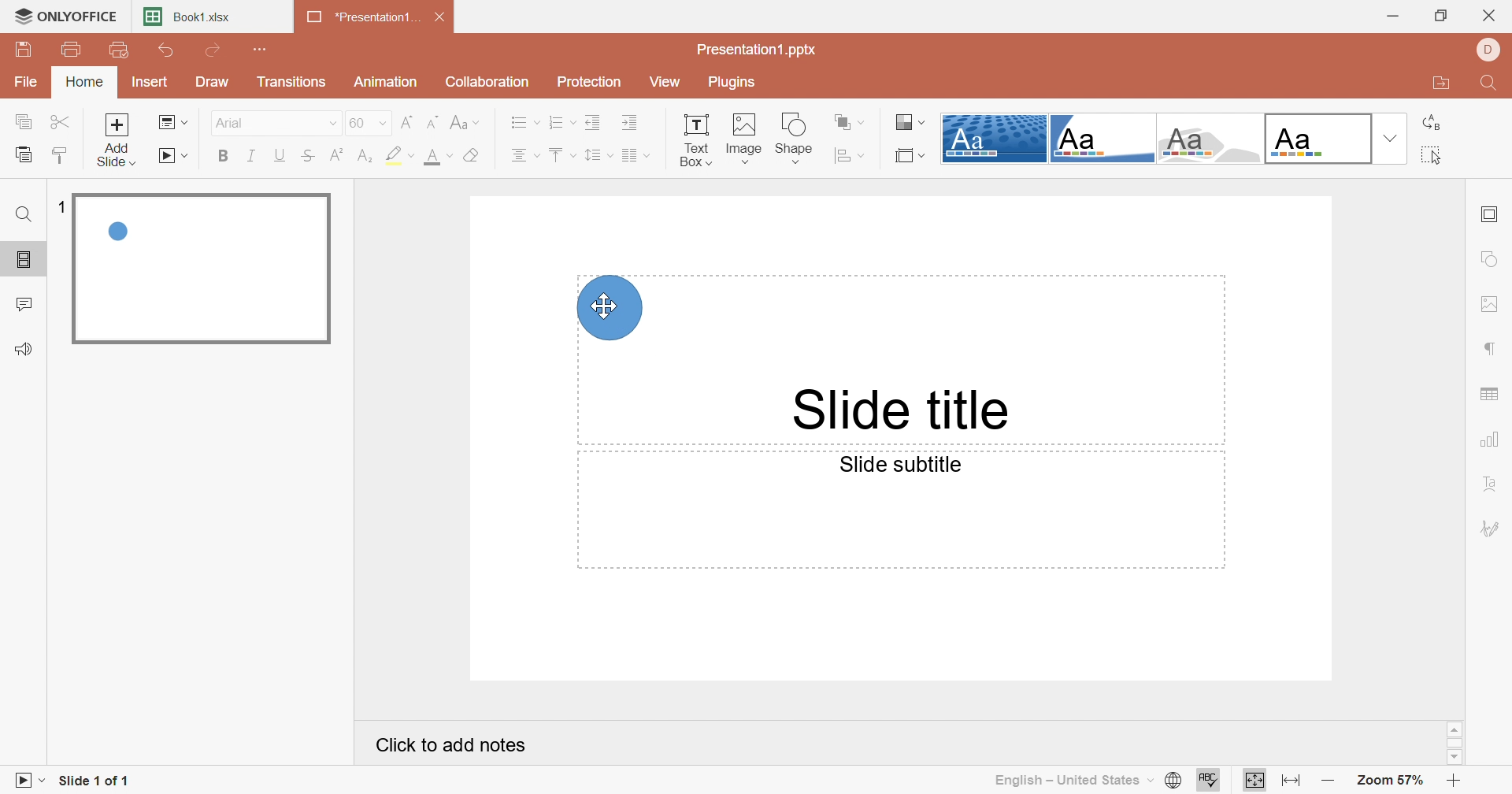 The width and height of the screenshot is (1512, 794). Describe the element at coordinates (632, 123) in the screenshot. I see `Increase indent` at that location.